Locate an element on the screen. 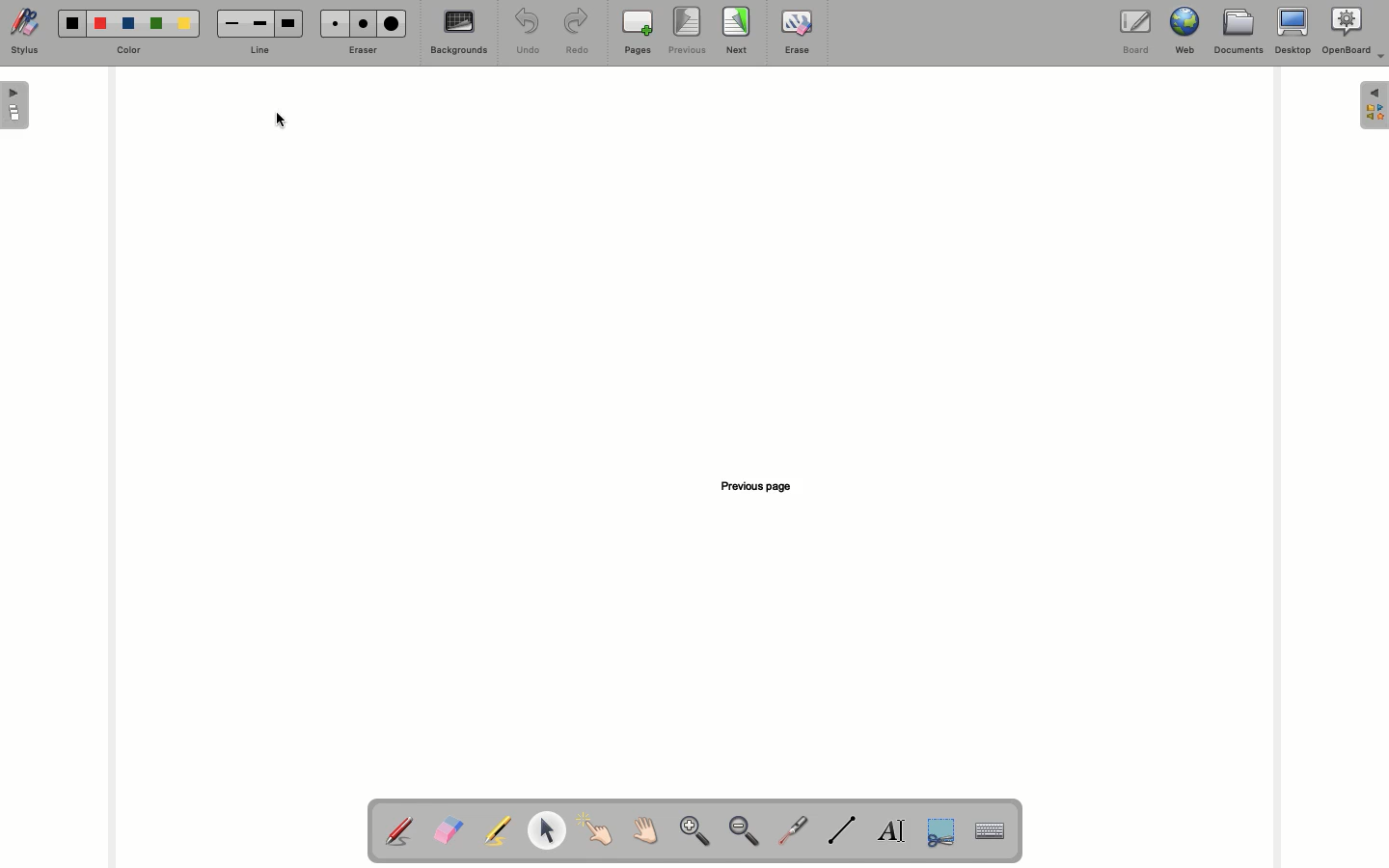 This screenshot has height=868, width=1389. The flatplan (left panel) is located at coordinates (15, 107).